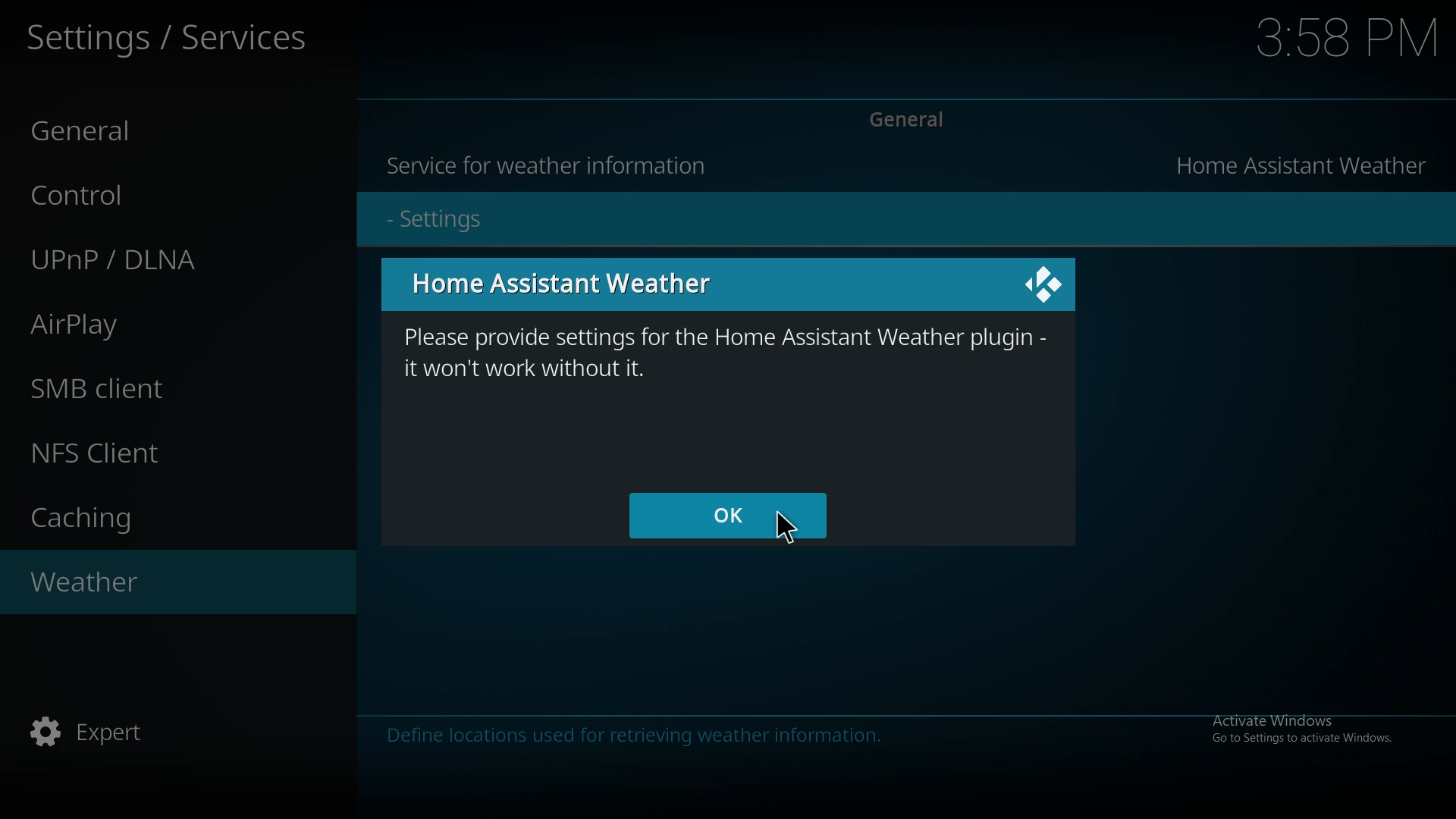  What do you see at coordinates (134, 124) in the screenshot?
I see `General` at bounding box center [134, 124].